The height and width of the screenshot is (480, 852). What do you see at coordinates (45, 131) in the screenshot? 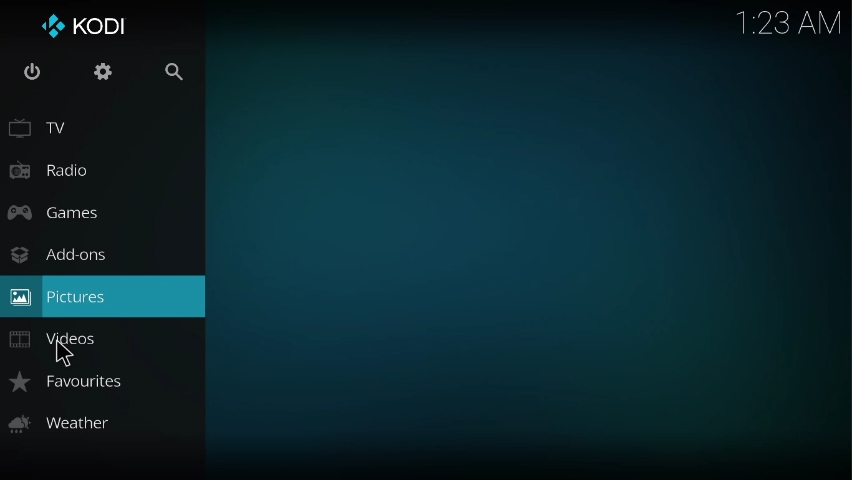
I see `tv` at bounding box center [45, 131].